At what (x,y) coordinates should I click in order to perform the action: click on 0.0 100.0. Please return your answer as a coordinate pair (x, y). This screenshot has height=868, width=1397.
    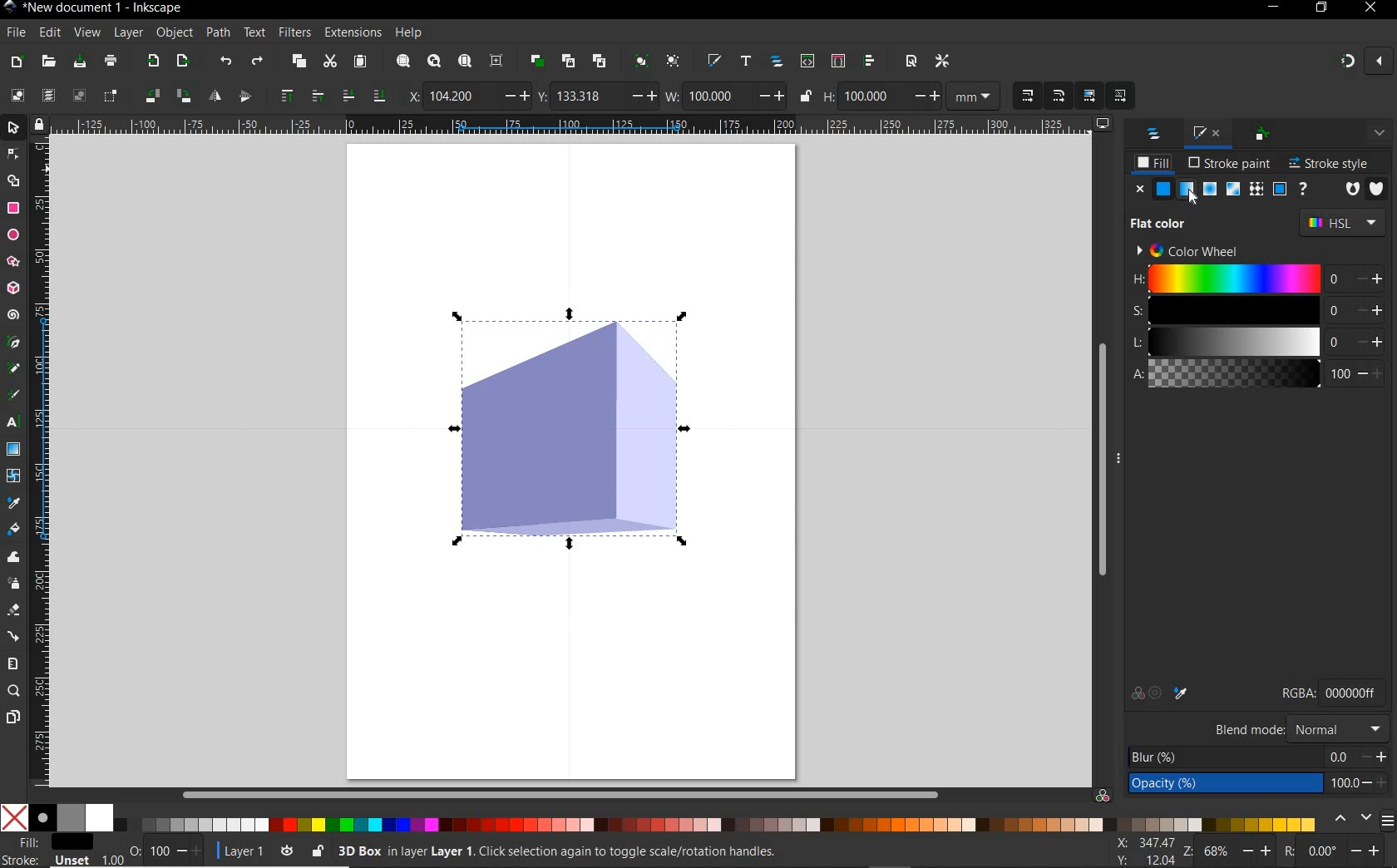
    Looking at the image, I should click on (1342, 772).